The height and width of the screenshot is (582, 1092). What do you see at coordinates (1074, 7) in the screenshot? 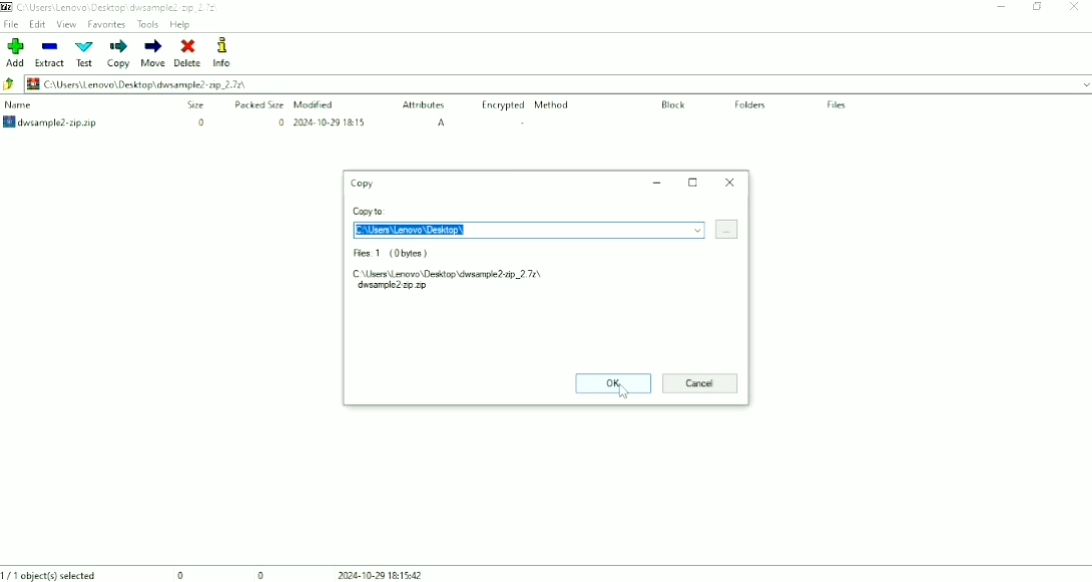
I see `Close` at bounding box center [1074, 7].